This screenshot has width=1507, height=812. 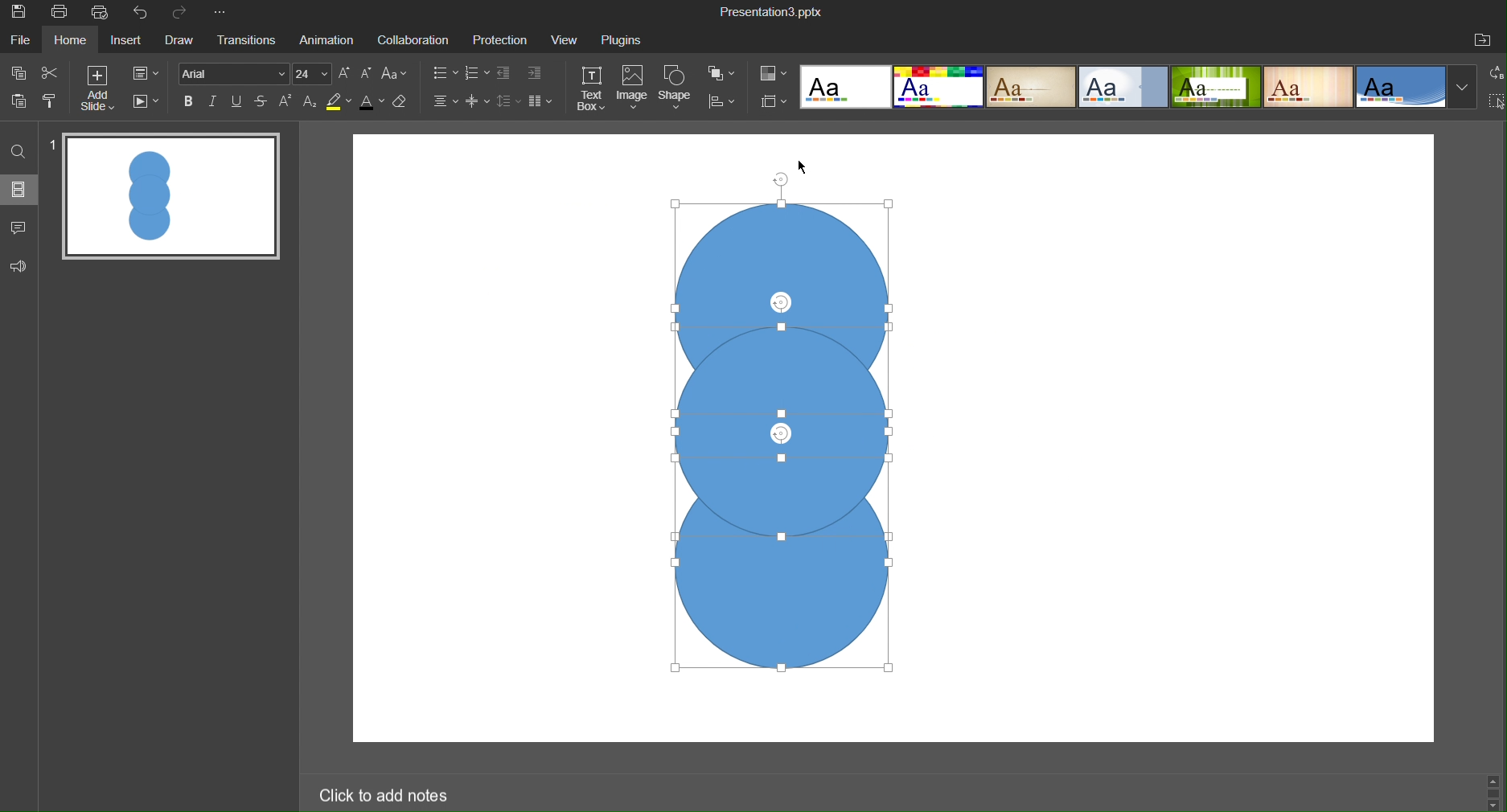 I want to click on Bold, so click(x=190, y=101).